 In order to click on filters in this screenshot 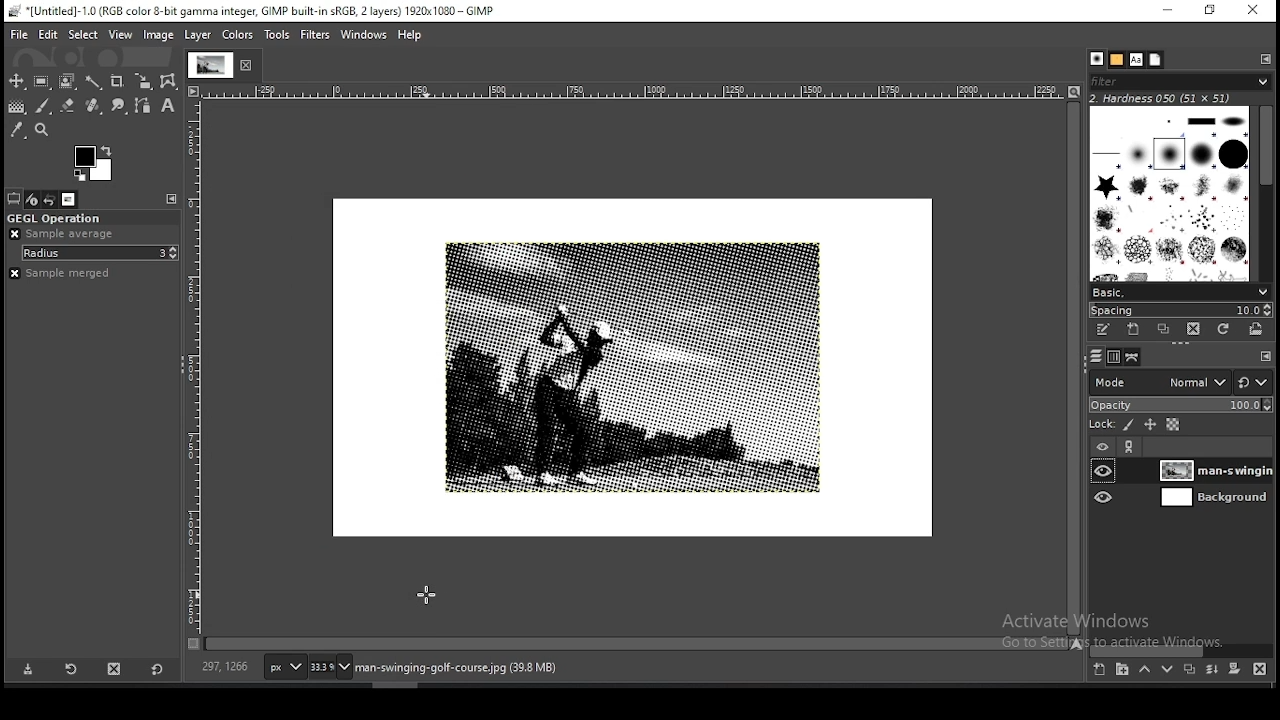, I will do `click(316, 34)`.